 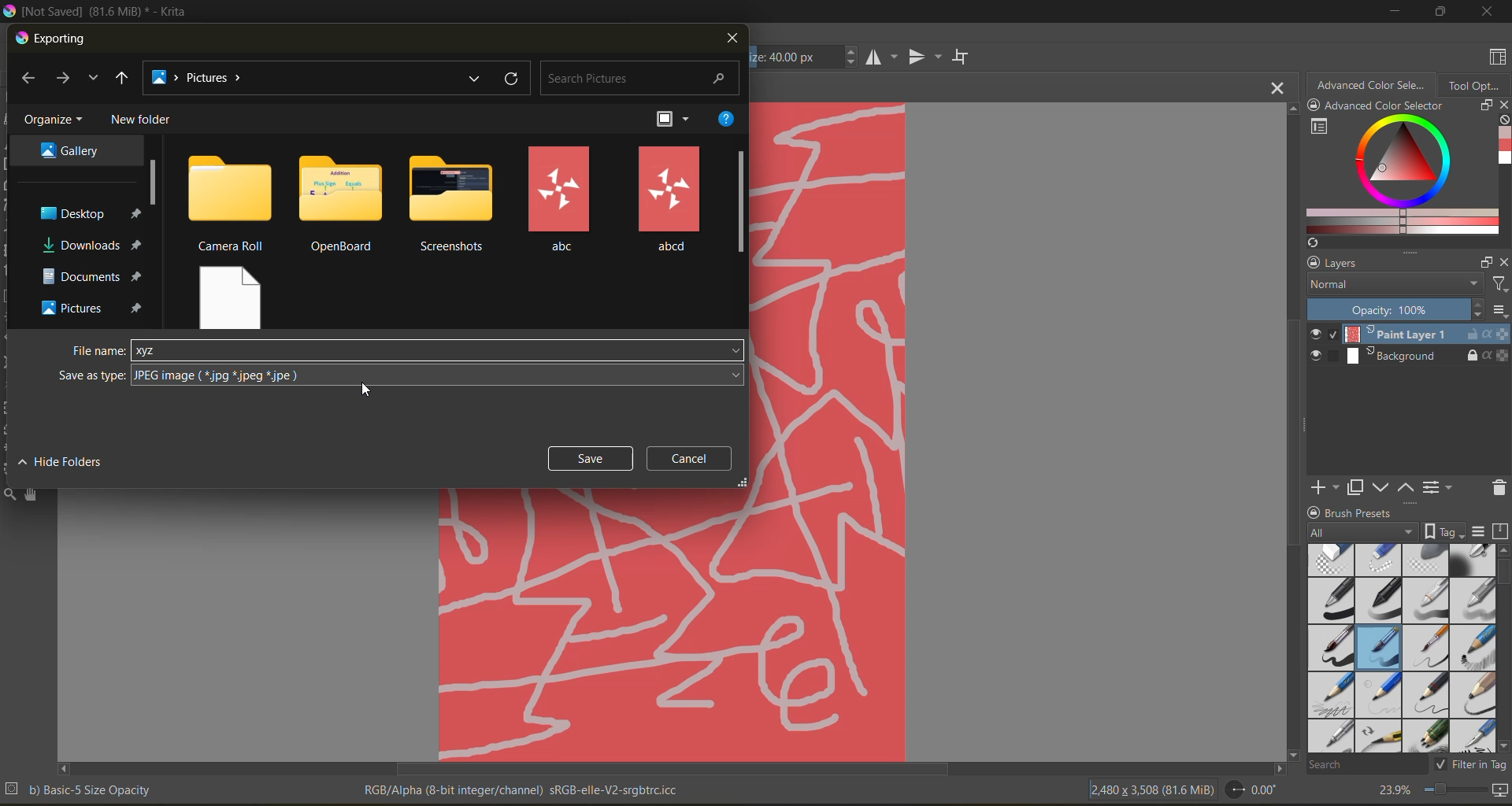 What do you see at coordinates (65, 460) in the screenshot?
I see `hide folders` at bounding box center [65, 460].